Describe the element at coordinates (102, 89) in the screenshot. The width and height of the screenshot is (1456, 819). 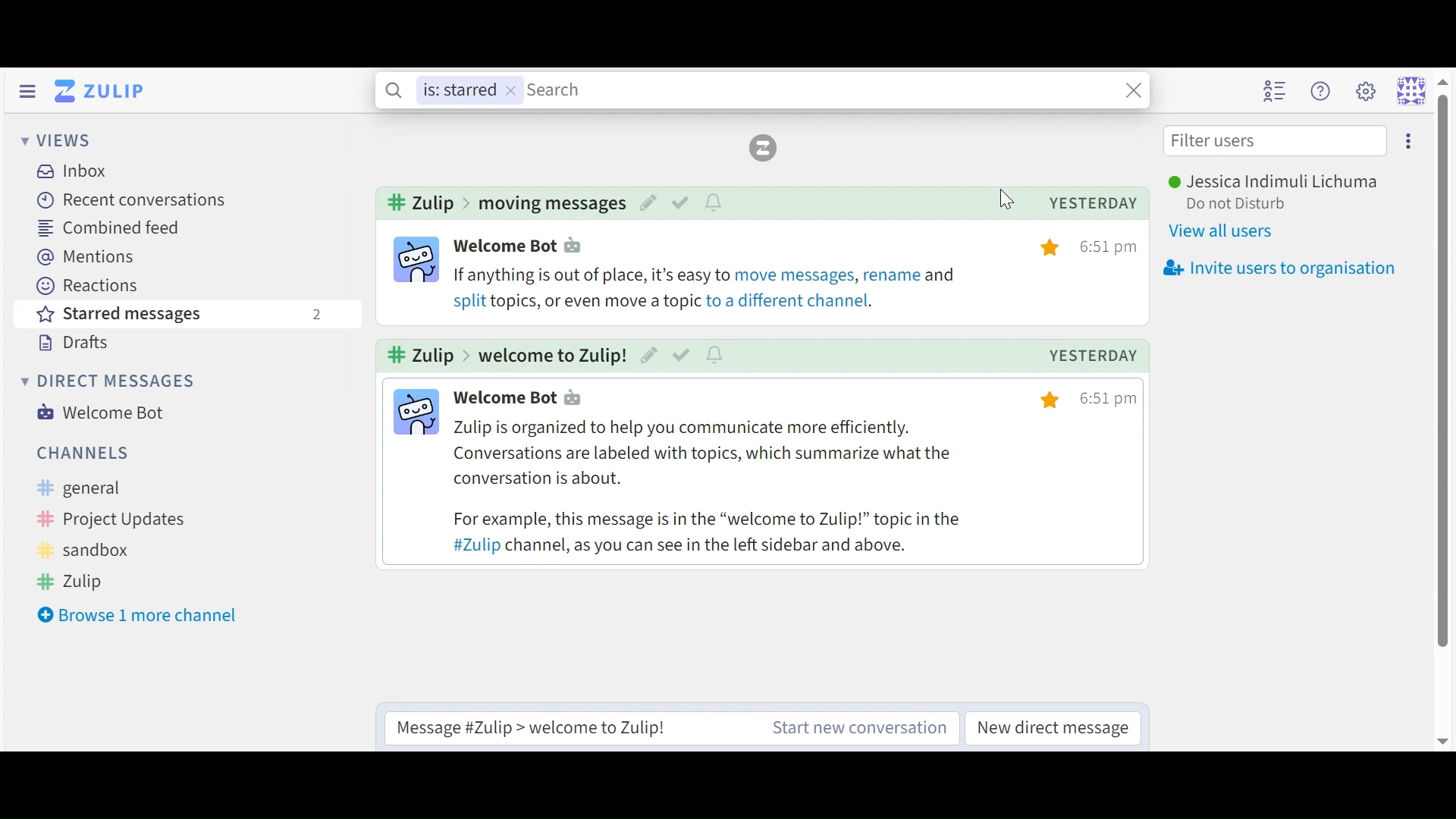
I see `Go to Home View (Inbox)` at that location.